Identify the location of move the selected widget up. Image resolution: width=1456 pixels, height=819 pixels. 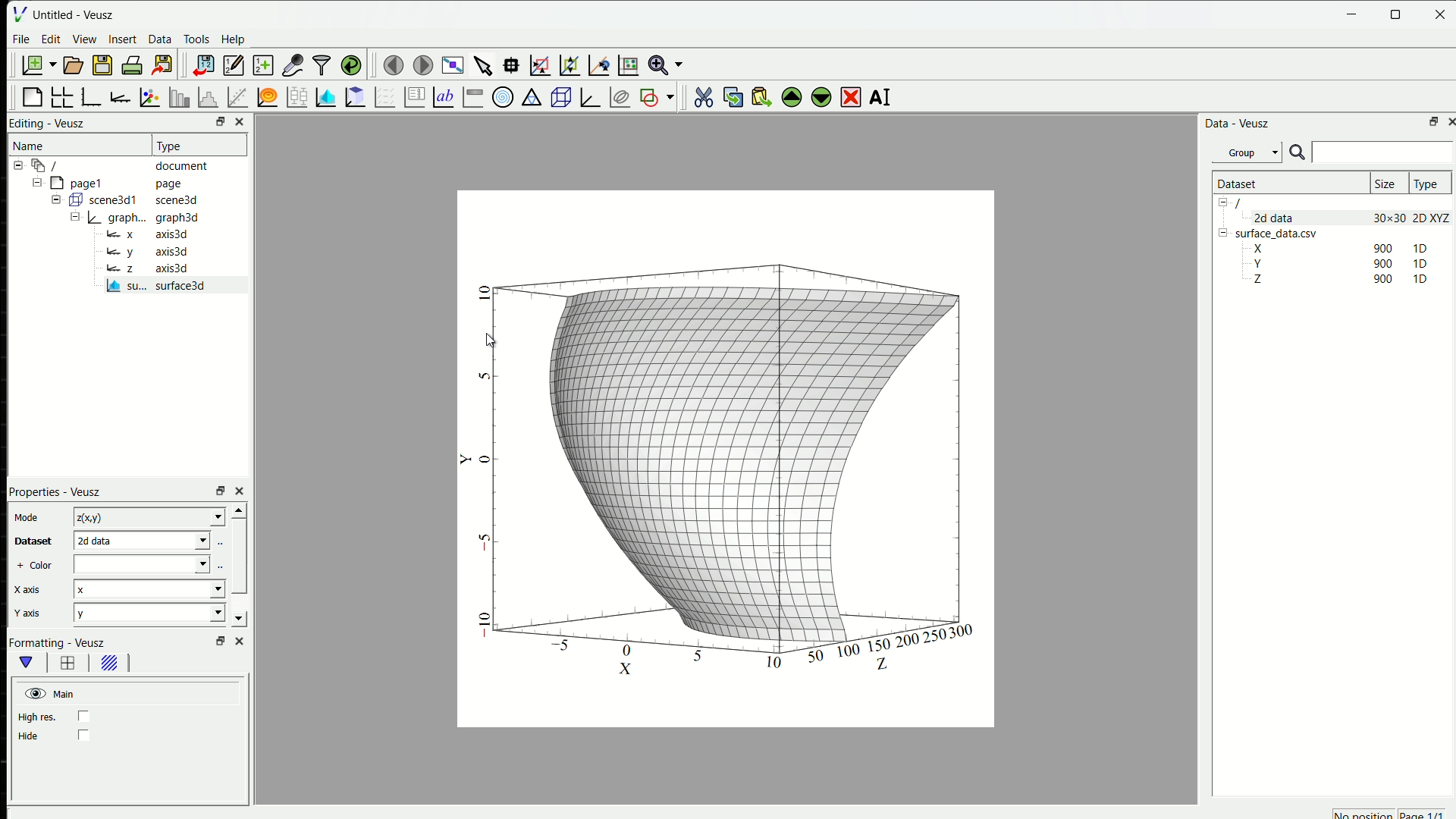
(792, 96).